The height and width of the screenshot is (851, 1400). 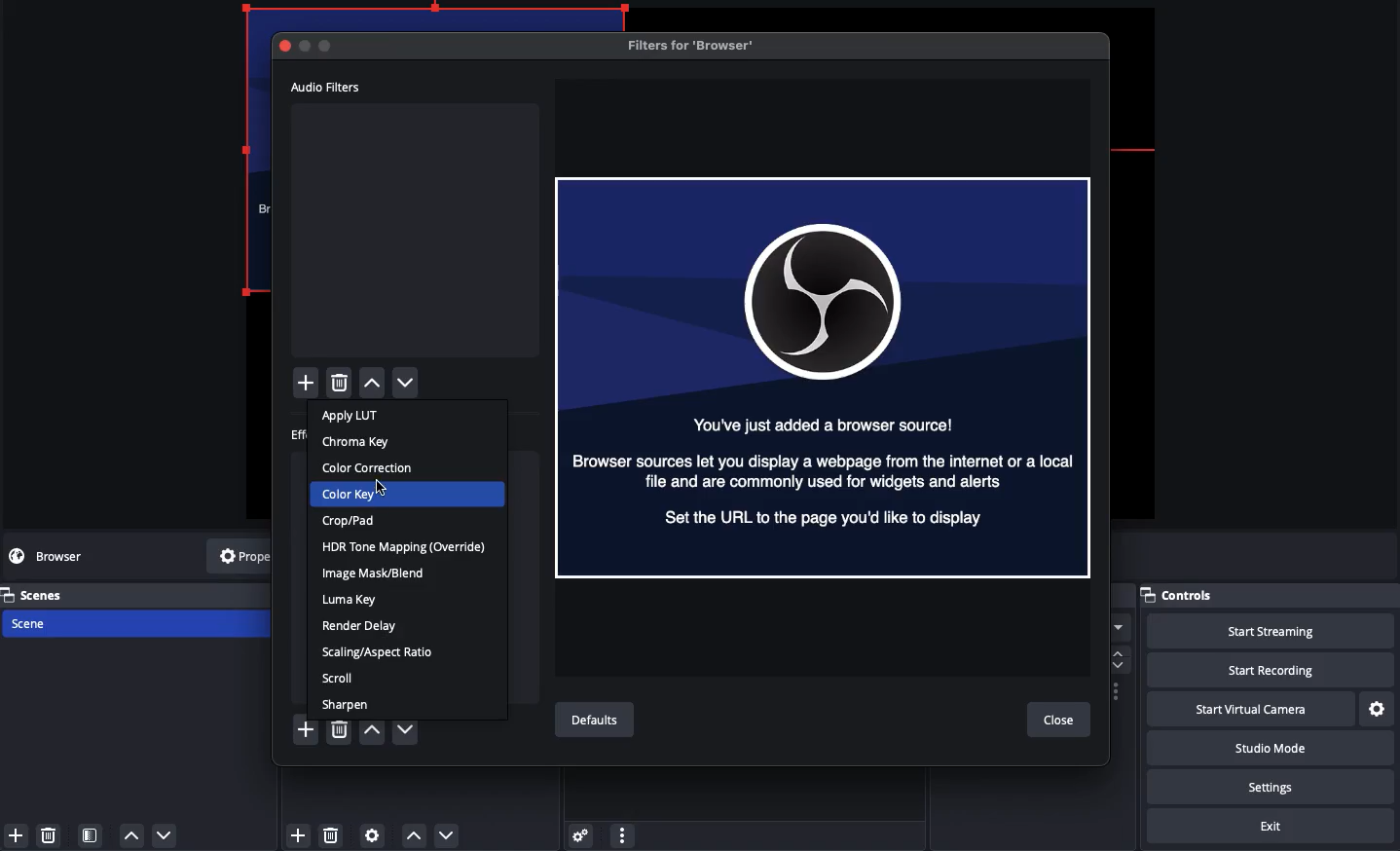 I want to click on Color correction, so click(x=371, y=468).